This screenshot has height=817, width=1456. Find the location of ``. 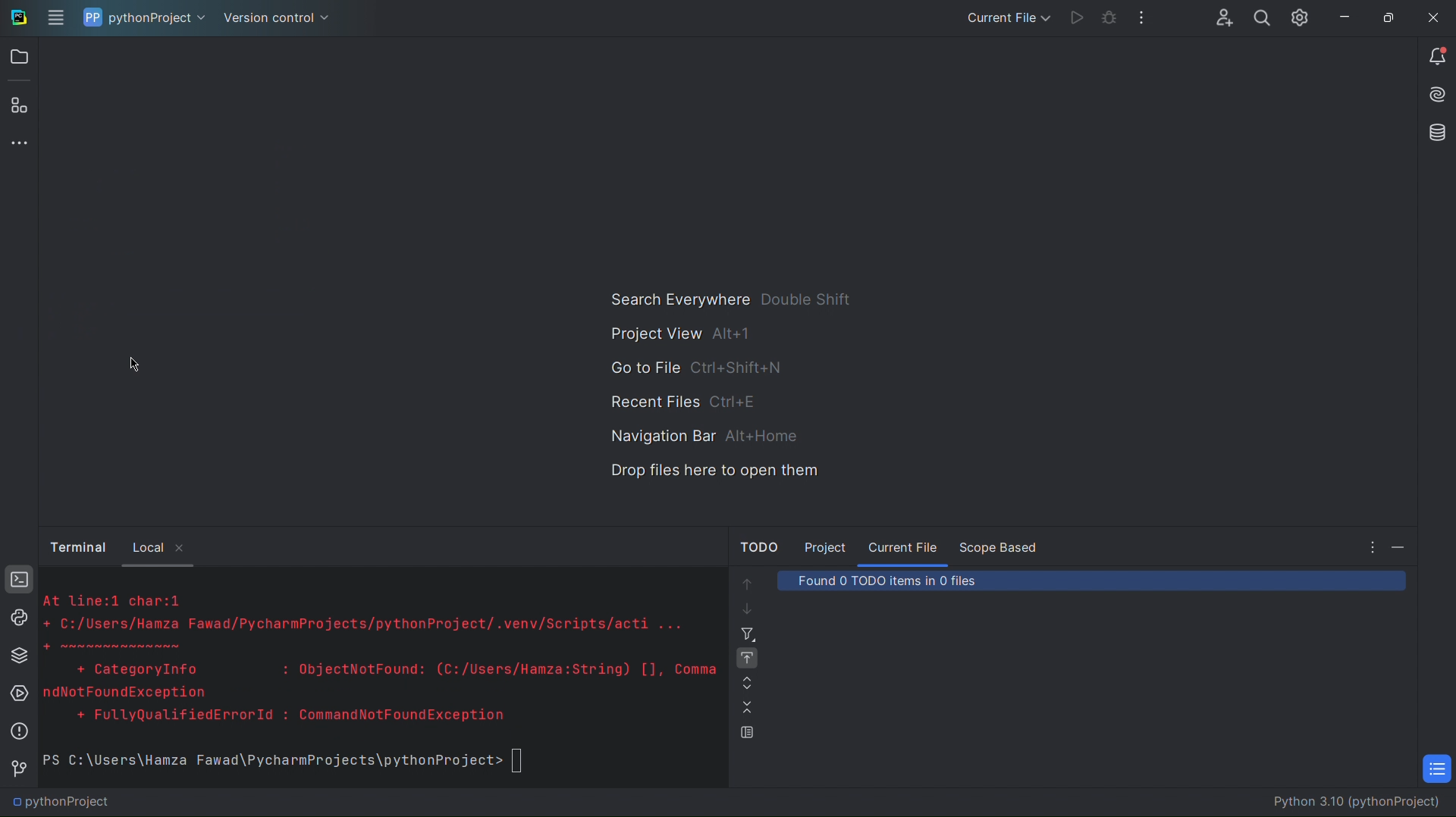

 is located at coordinates (79, 546).